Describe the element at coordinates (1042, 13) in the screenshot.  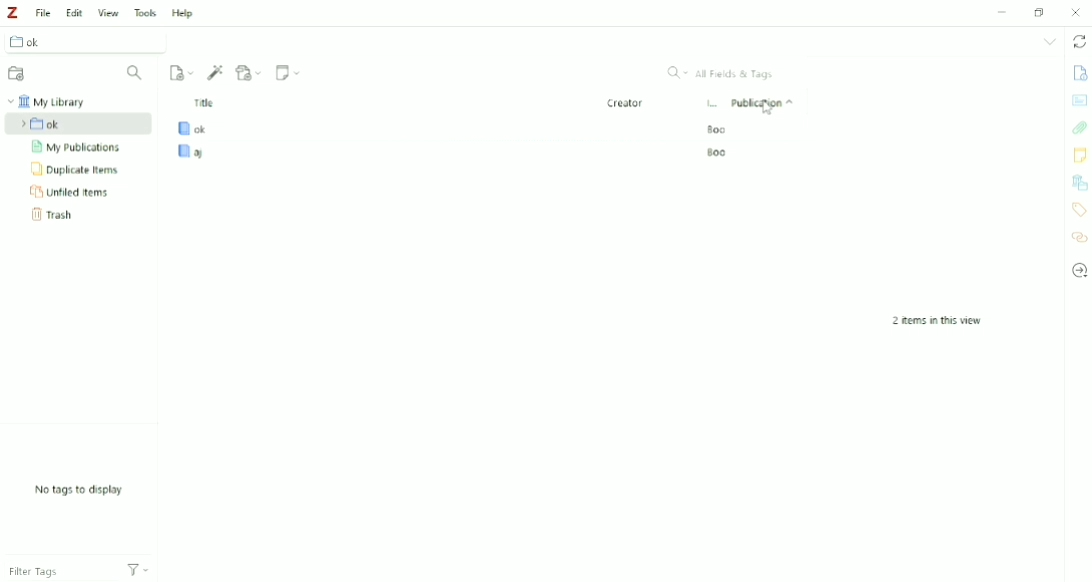
I see `Restore down` at that location.